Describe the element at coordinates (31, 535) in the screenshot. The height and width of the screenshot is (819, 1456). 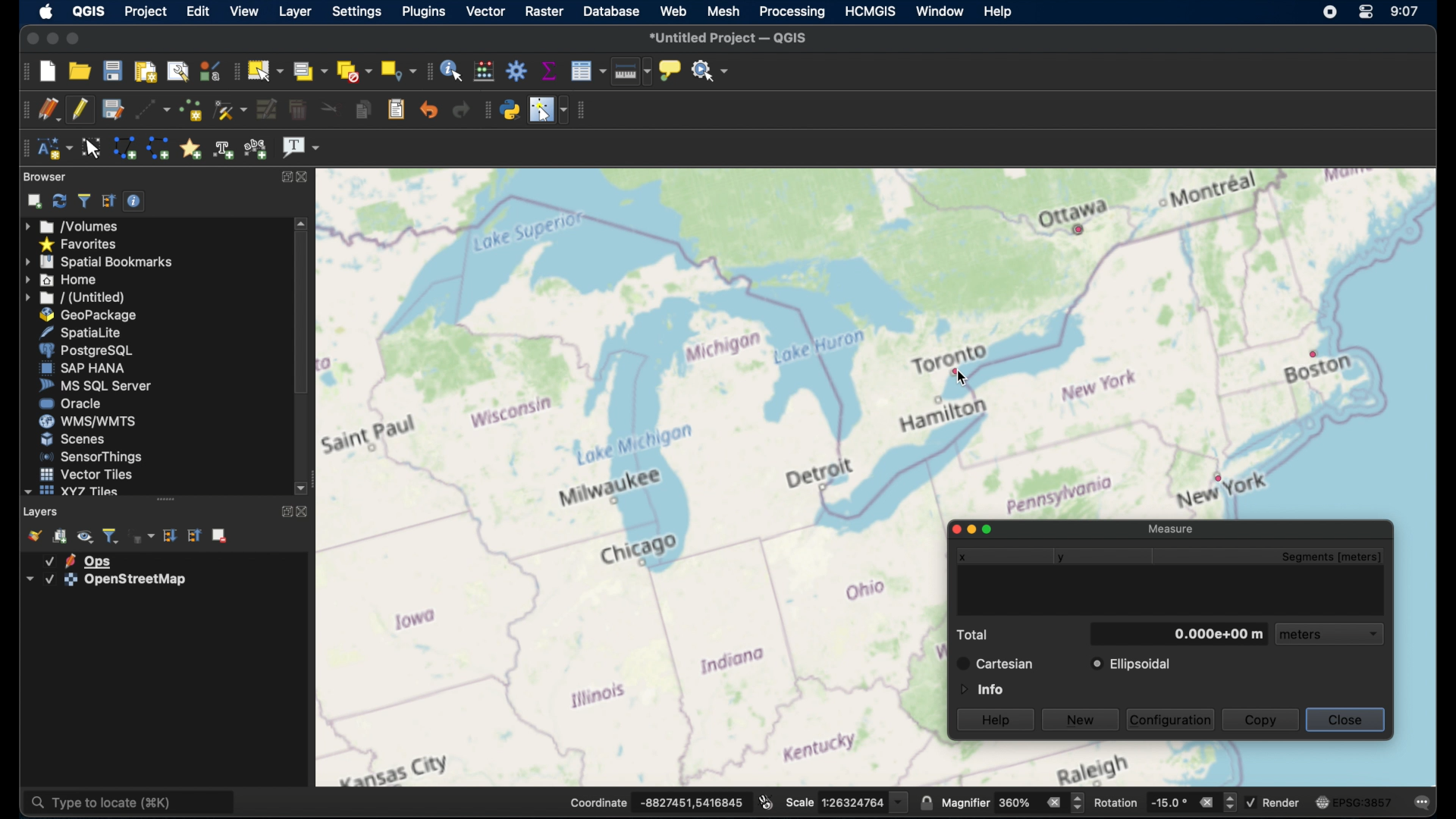
I see `open map layer` at that location.